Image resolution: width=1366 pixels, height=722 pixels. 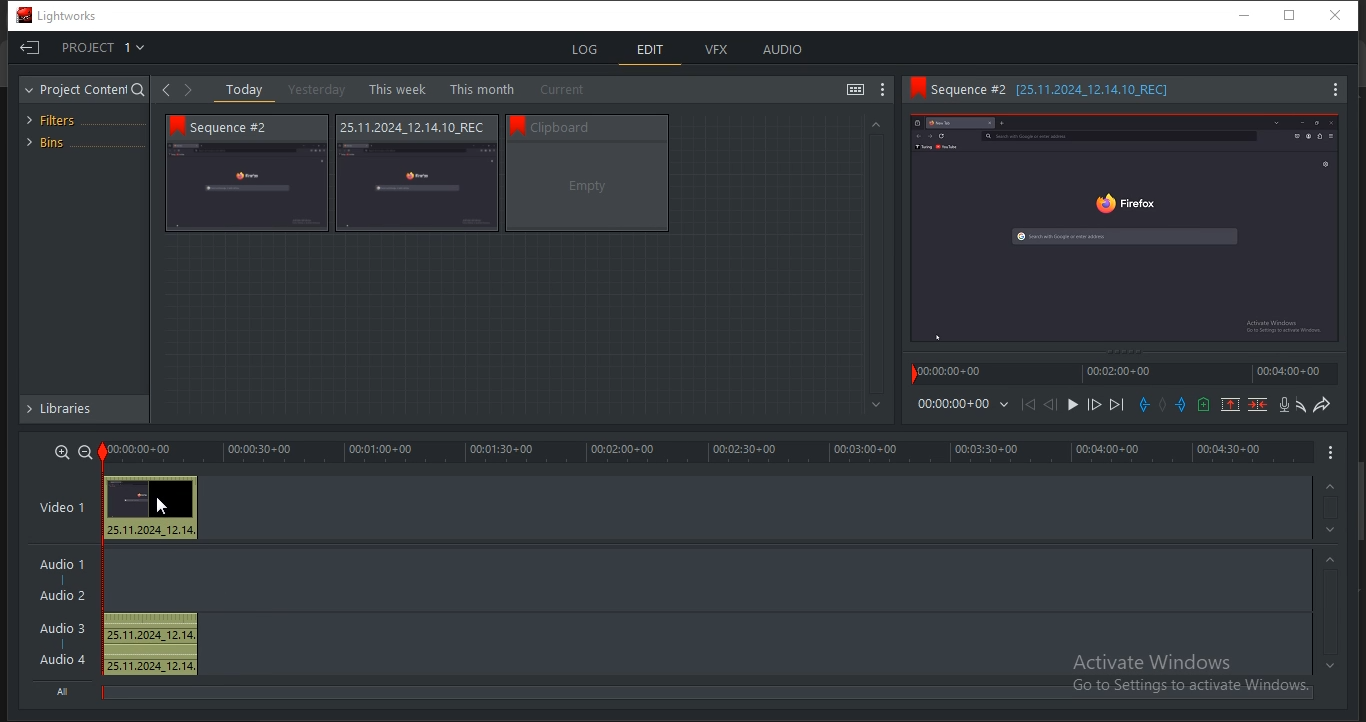 I want to click on bookmark, so click(x=176, y=127).